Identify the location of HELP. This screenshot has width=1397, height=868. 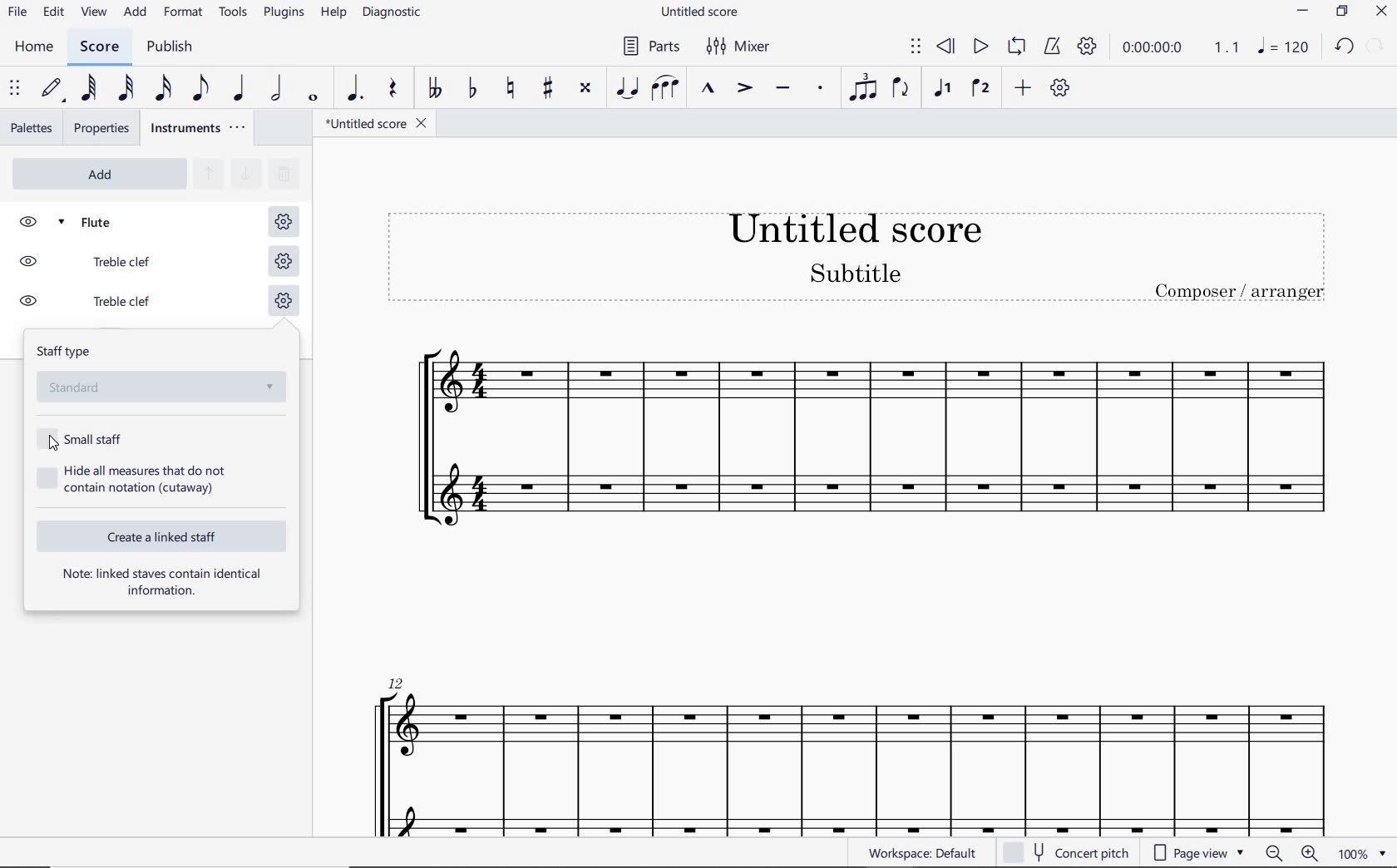
(334, 15).